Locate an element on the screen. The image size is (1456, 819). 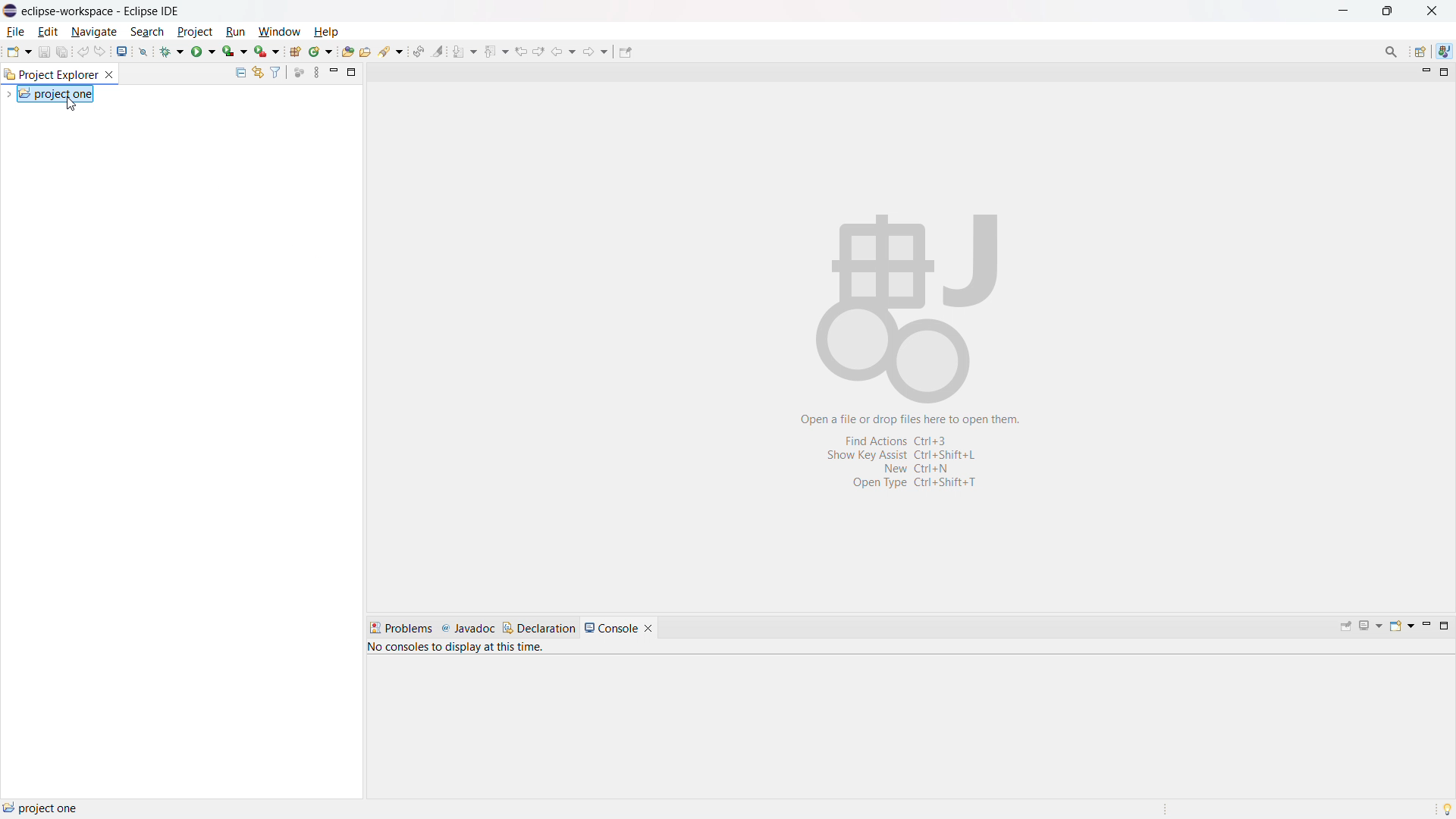
next annotation is located at coordinates (464, 52).